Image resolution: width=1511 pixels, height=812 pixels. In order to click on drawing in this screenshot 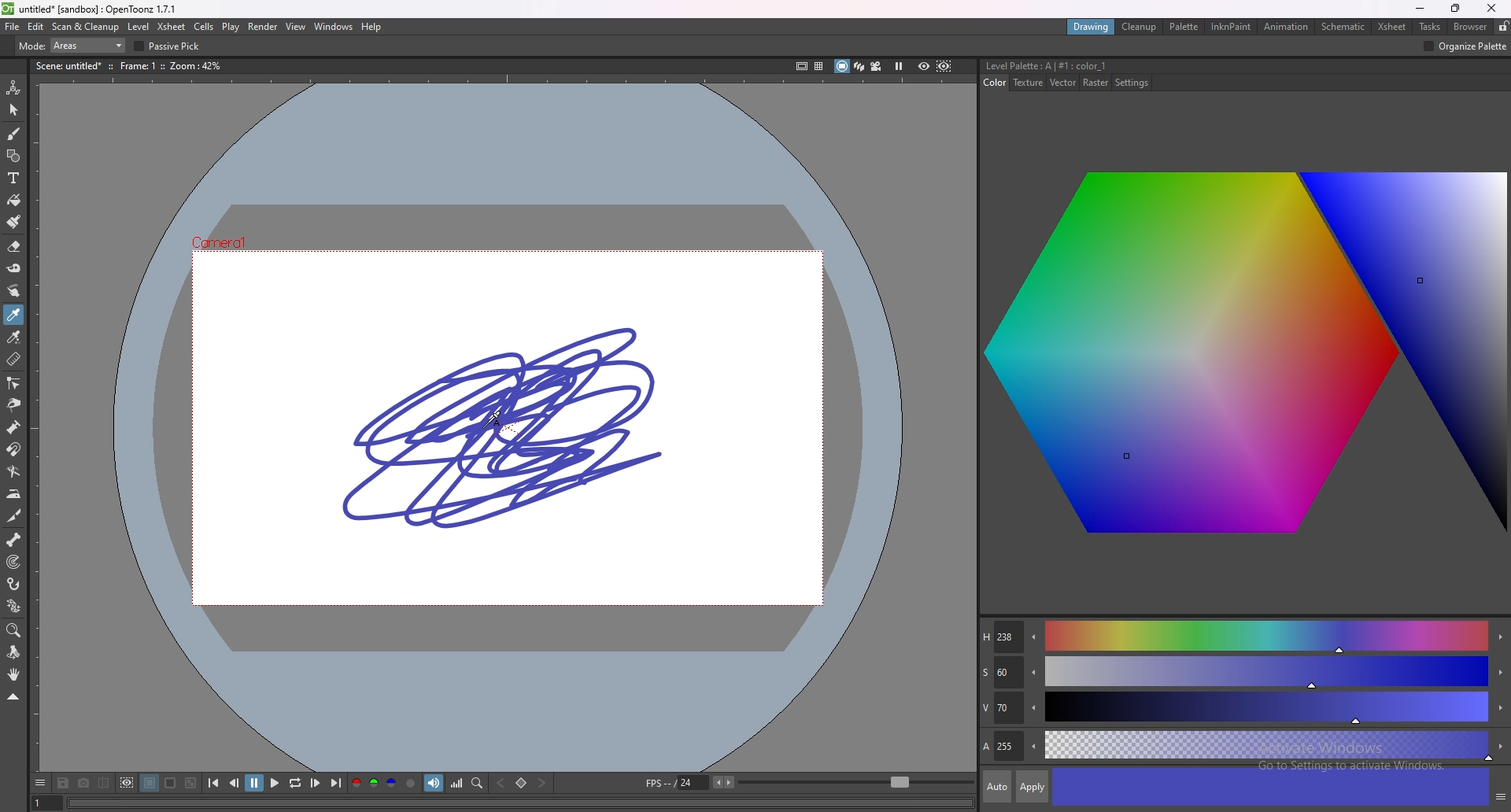, I will do `click(1092, 28)`.